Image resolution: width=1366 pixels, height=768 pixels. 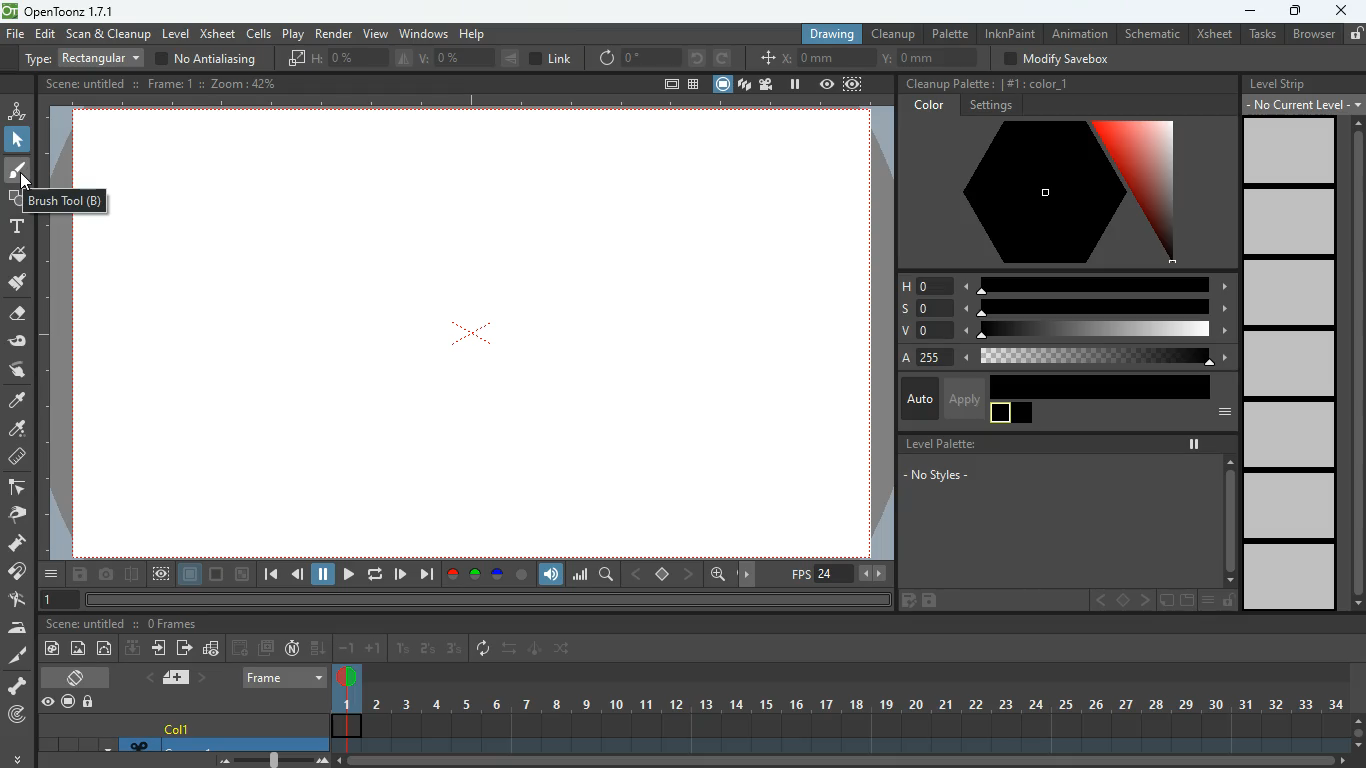 What do you see at coordinates (180, 729) in the screenshot?
I see `Col1` at bounding box center [180, 729].